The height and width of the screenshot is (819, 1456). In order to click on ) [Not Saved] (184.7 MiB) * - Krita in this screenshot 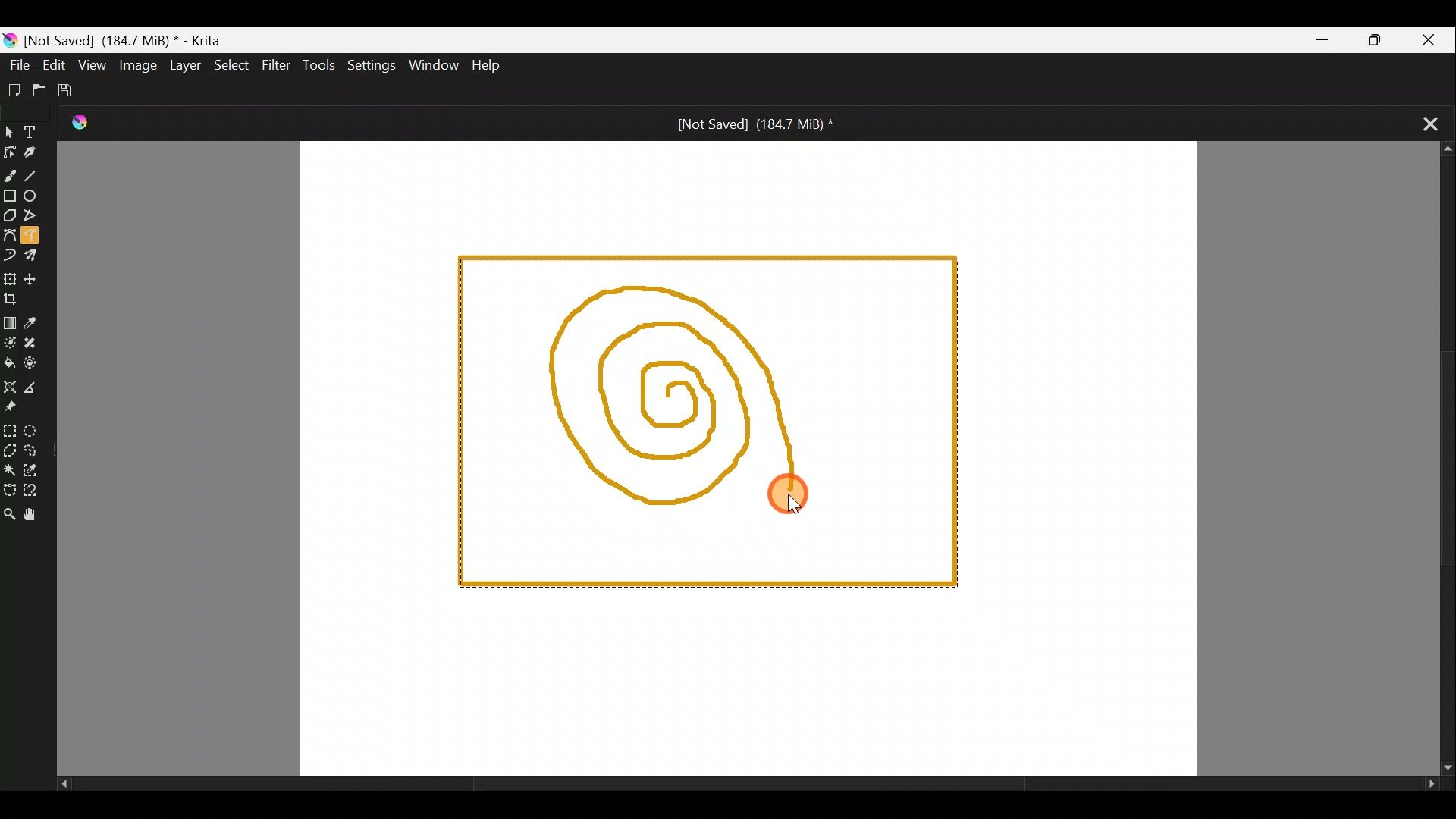, I will do `click(130, 39)`.